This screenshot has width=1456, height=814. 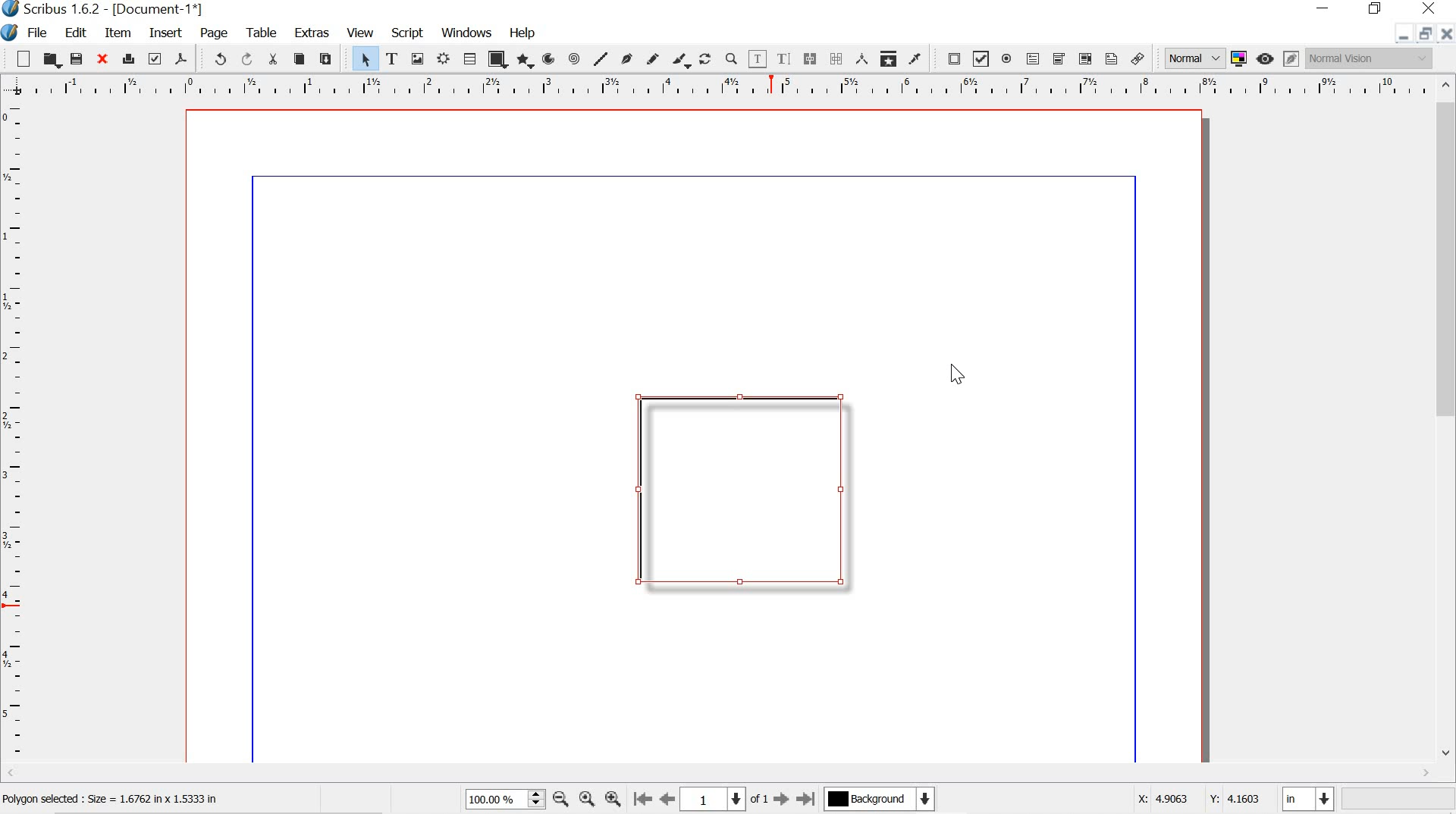 What do you see at coordinates (77, 58) in the screenshot?
I see `save` at bounding box center [77, 58].